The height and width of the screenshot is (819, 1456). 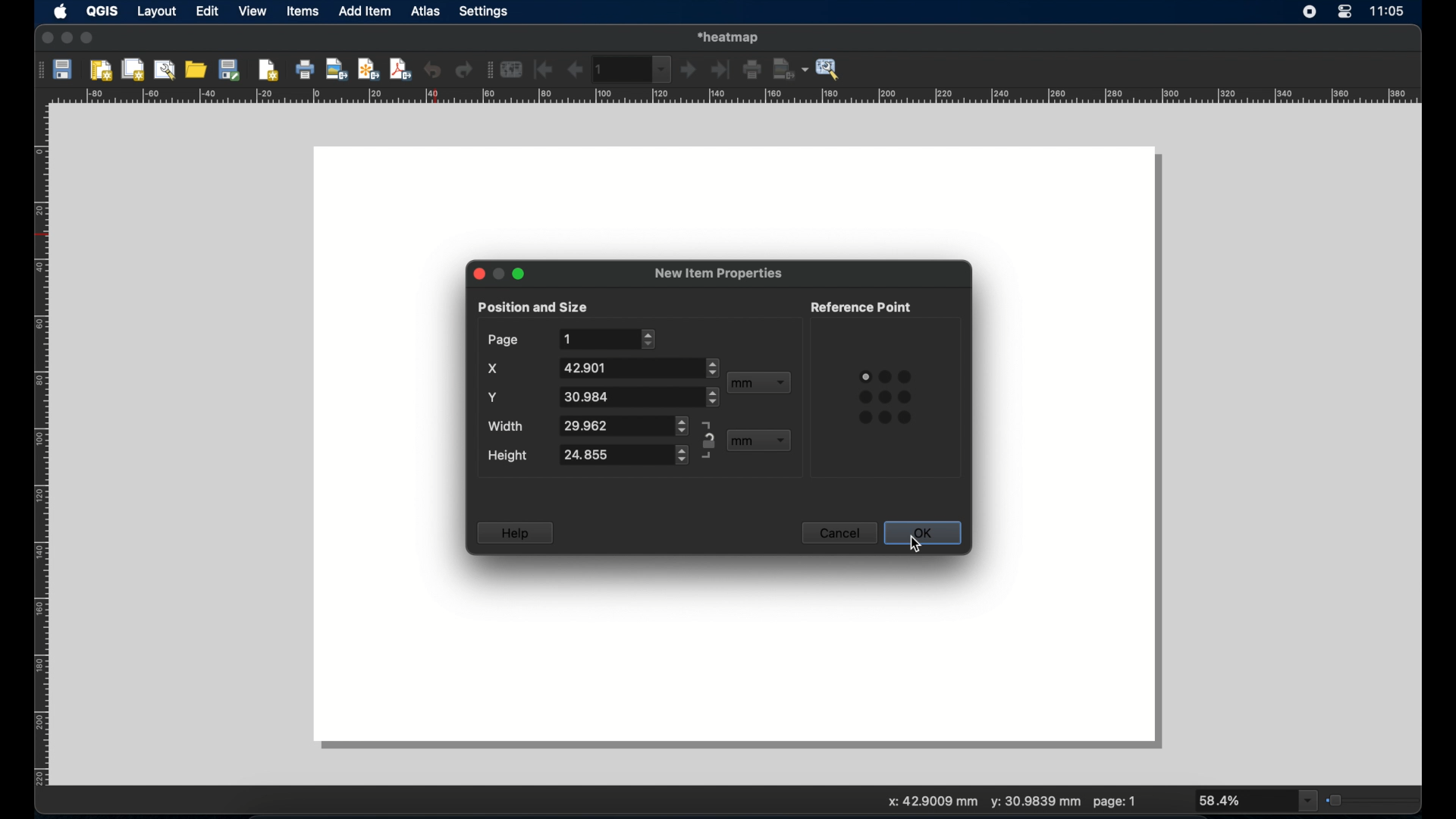 What do you see at coordinates (884, 397) in the screenshot?
I see `reference point` at bounding box center [884, 397].